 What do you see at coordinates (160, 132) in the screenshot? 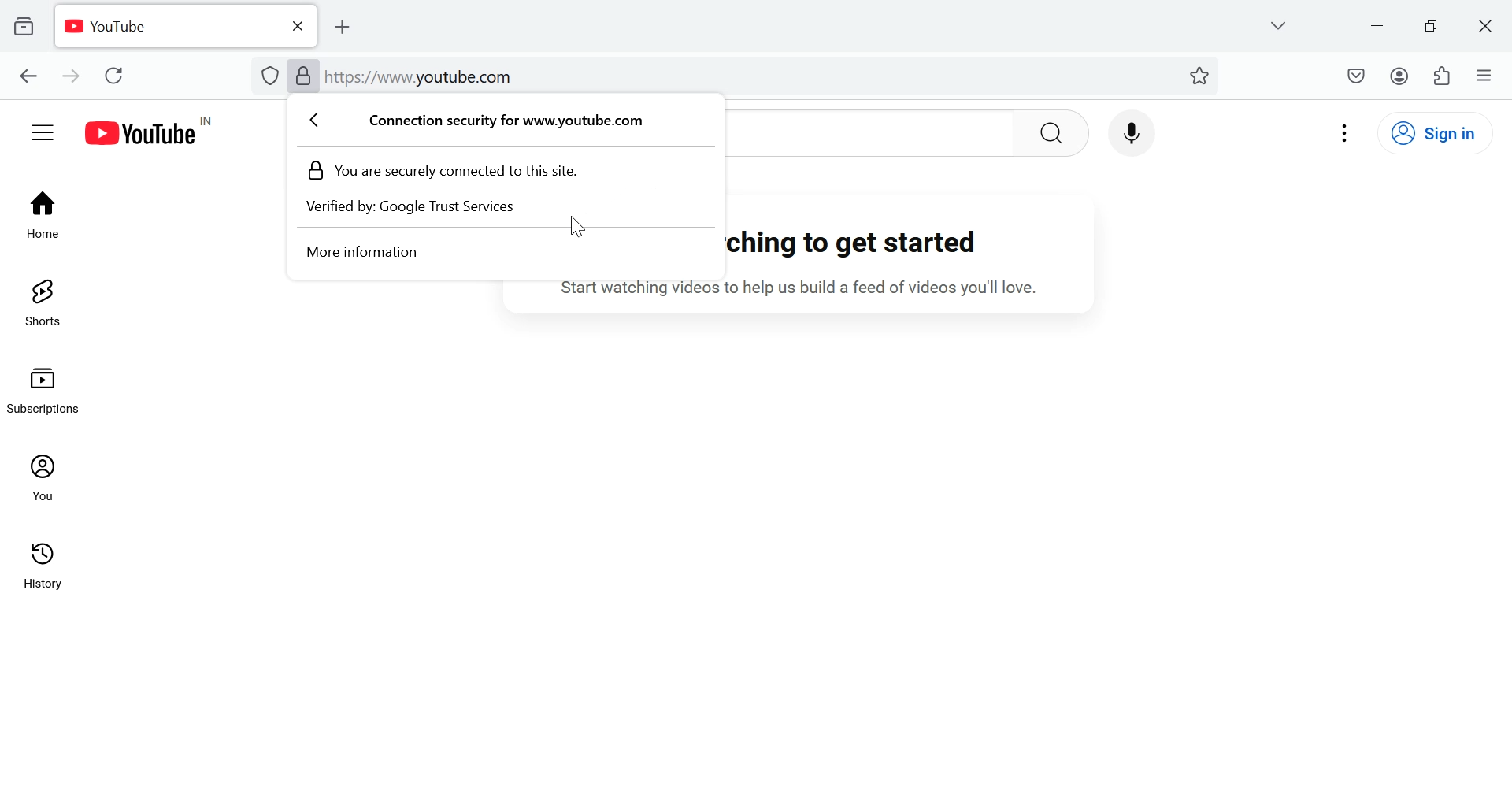
I see `YouTube Home` at bounding box center [160, 132].